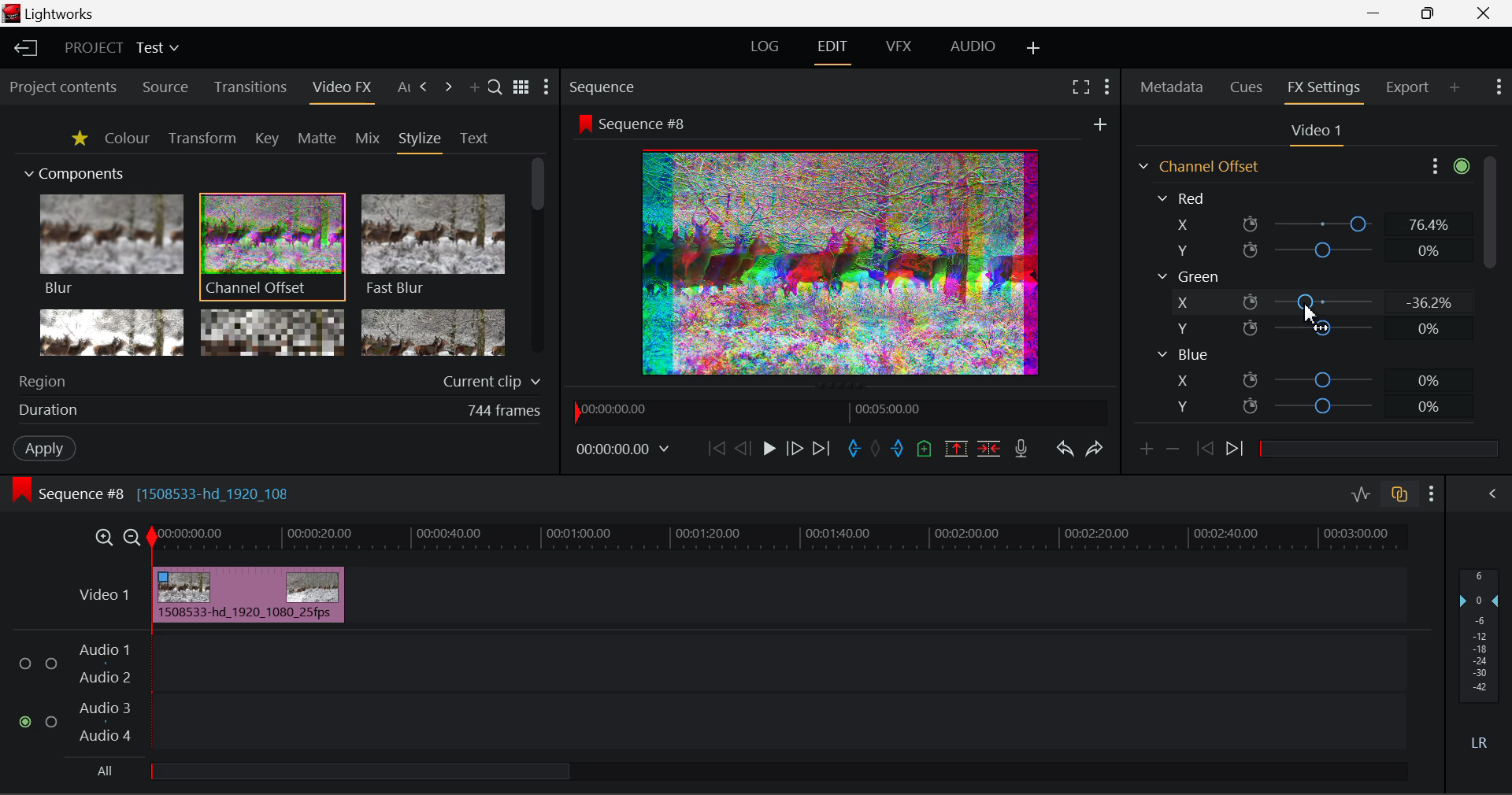 Image resolution: width=1512 pixels, height=795 pixels. What do you see at coordinates (425, 87) in the screenshot?
I see `Next Tab` at bounding box center [425, 87].